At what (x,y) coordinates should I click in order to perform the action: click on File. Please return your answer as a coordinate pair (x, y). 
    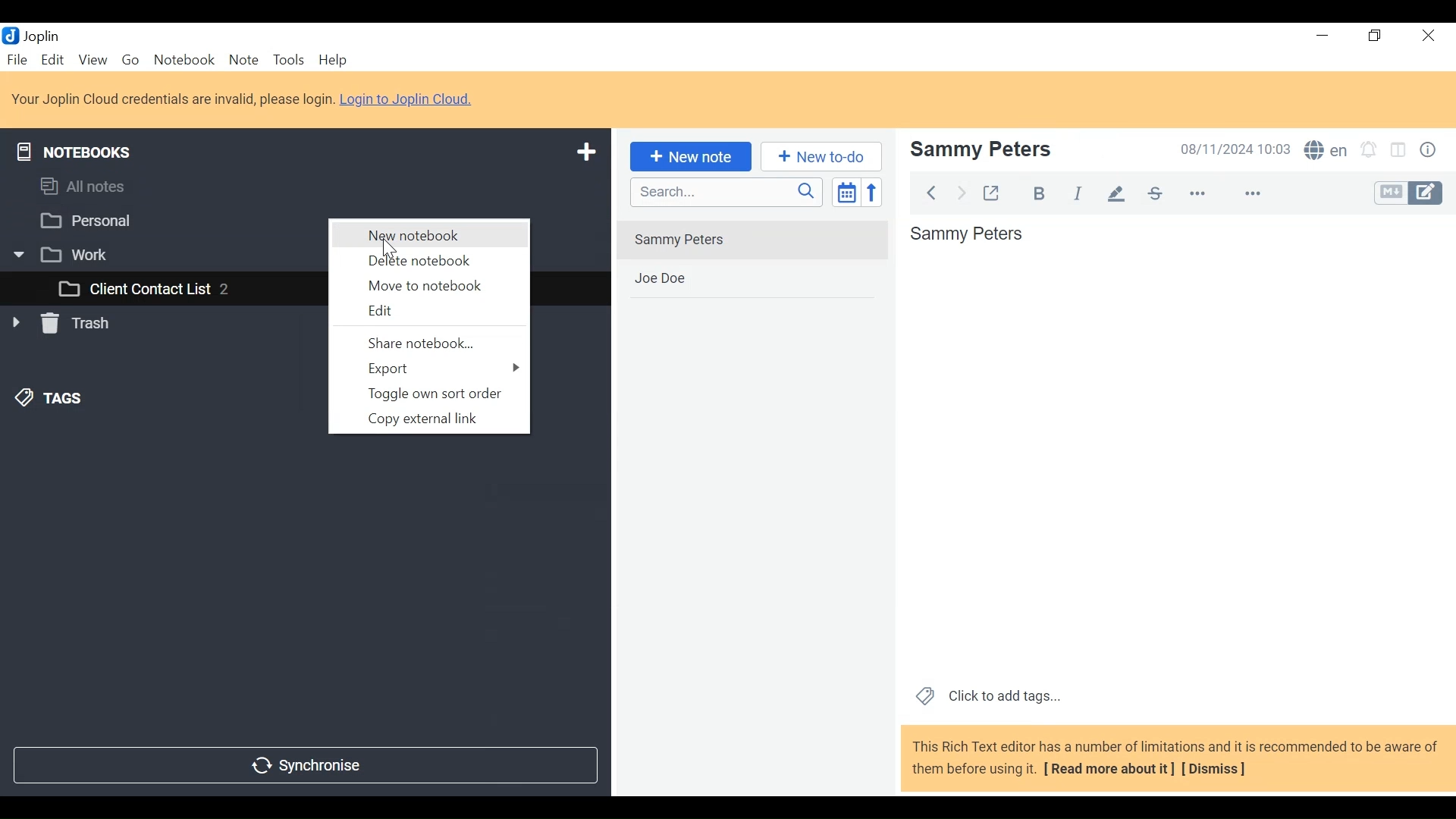
    Looking at the image, I should click on (17, 58).